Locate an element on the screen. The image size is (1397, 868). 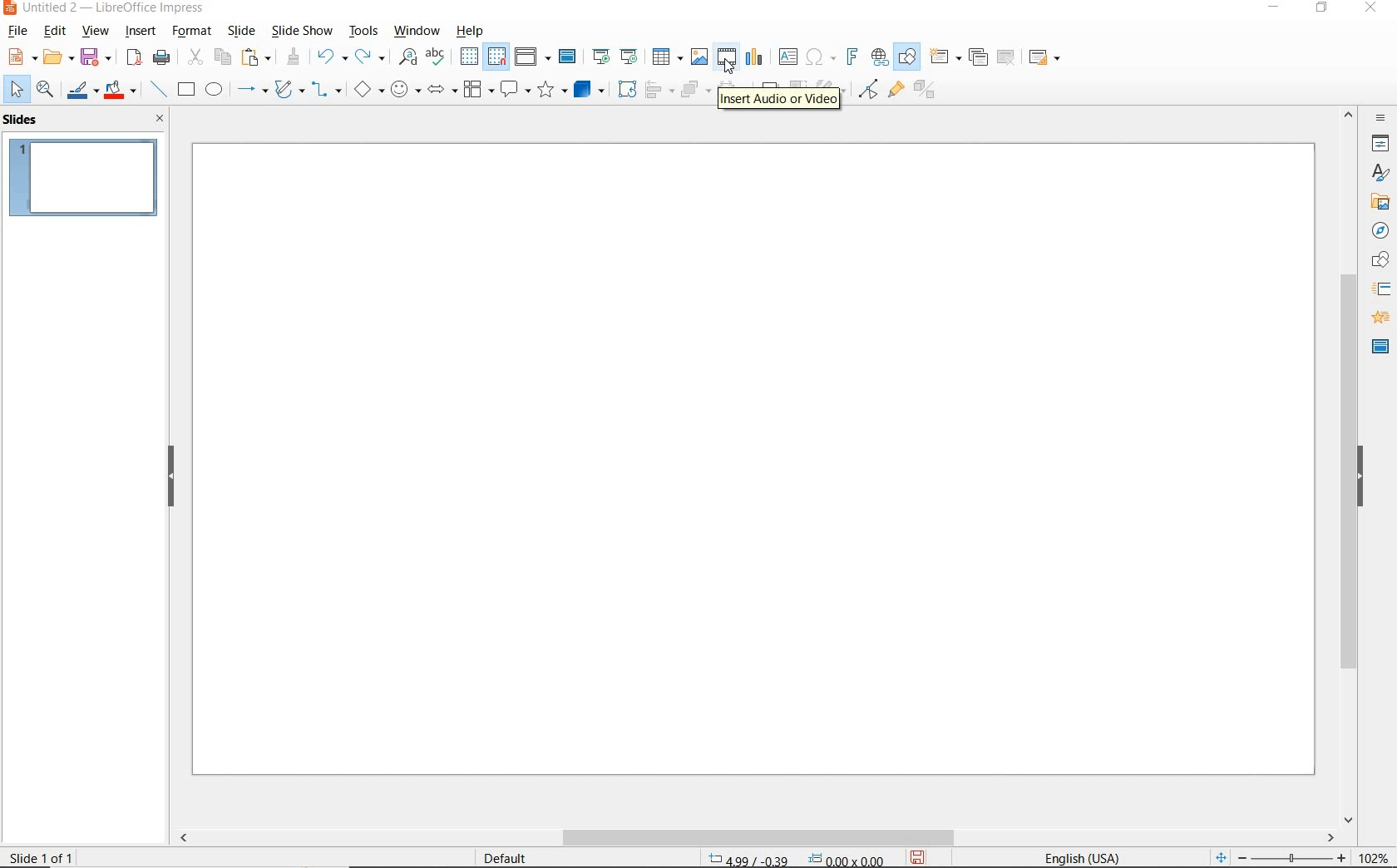
SLIDE TRANSITION is located at coordinates (1382, 290).